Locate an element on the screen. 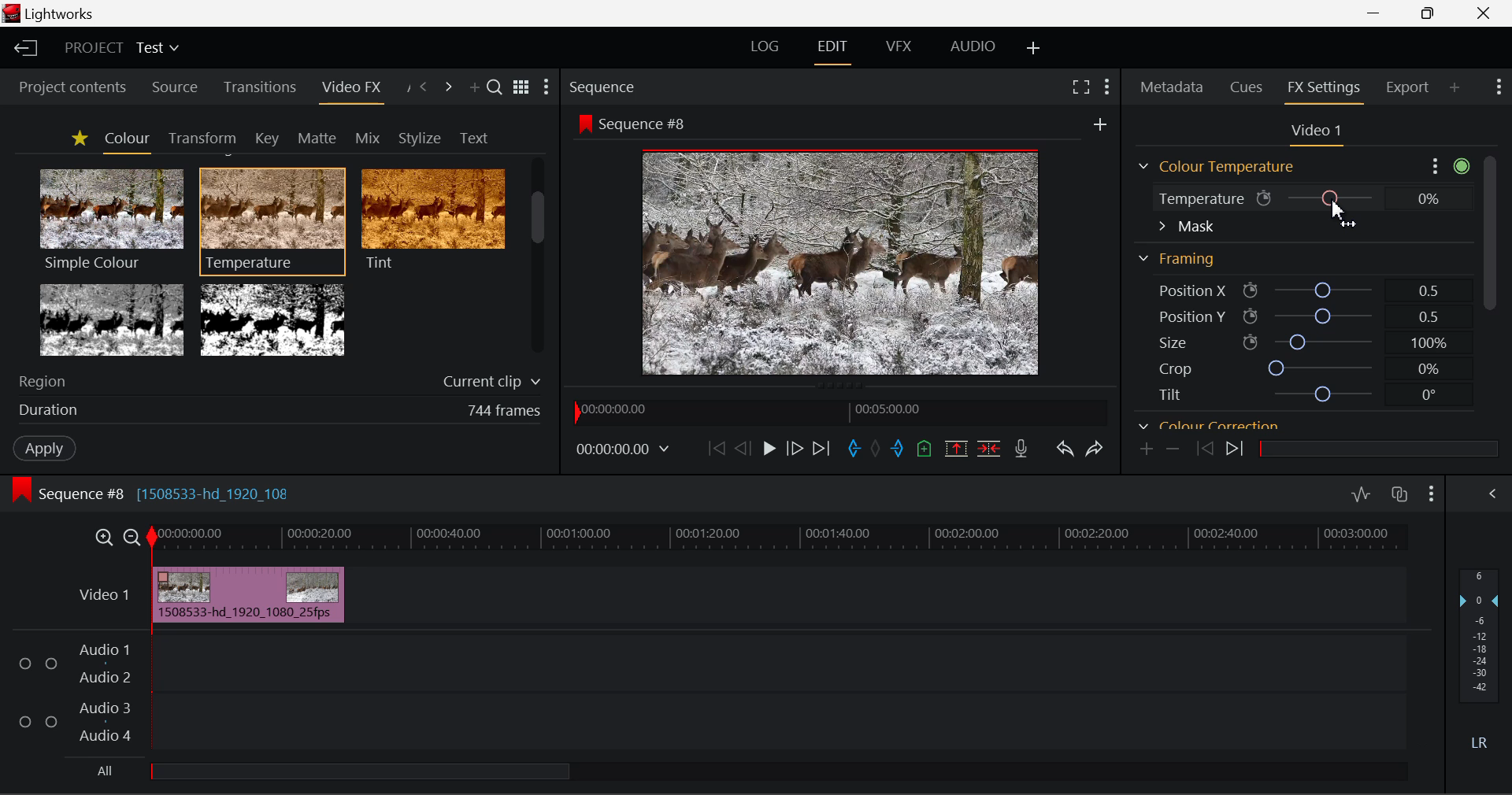 The height and width of the screenshot is (795, 1512). Checkbox is located at coordinates (50, 720).